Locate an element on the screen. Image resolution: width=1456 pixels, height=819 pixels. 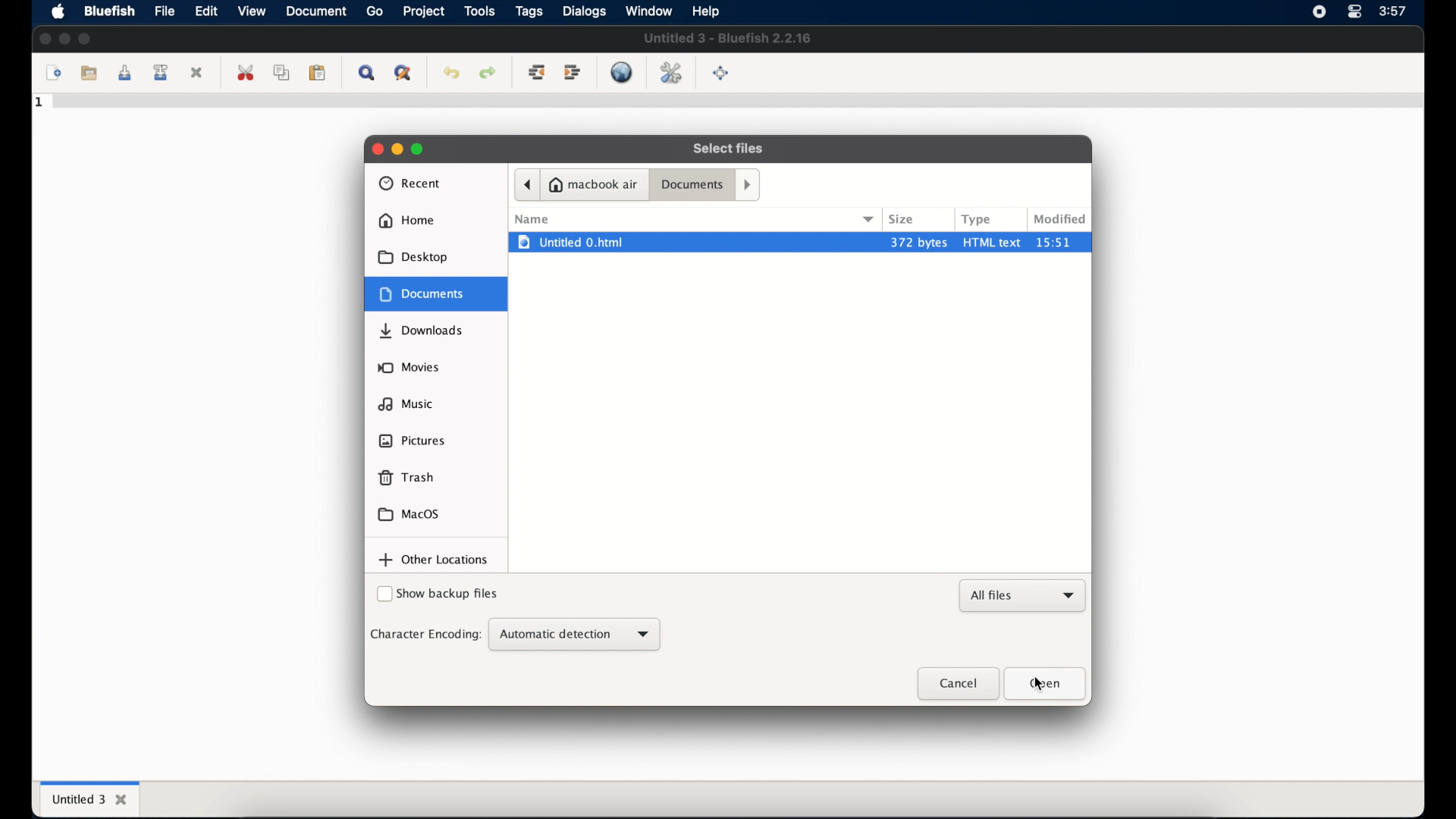
screen recorder icon is located at coordinates (1319, 12).